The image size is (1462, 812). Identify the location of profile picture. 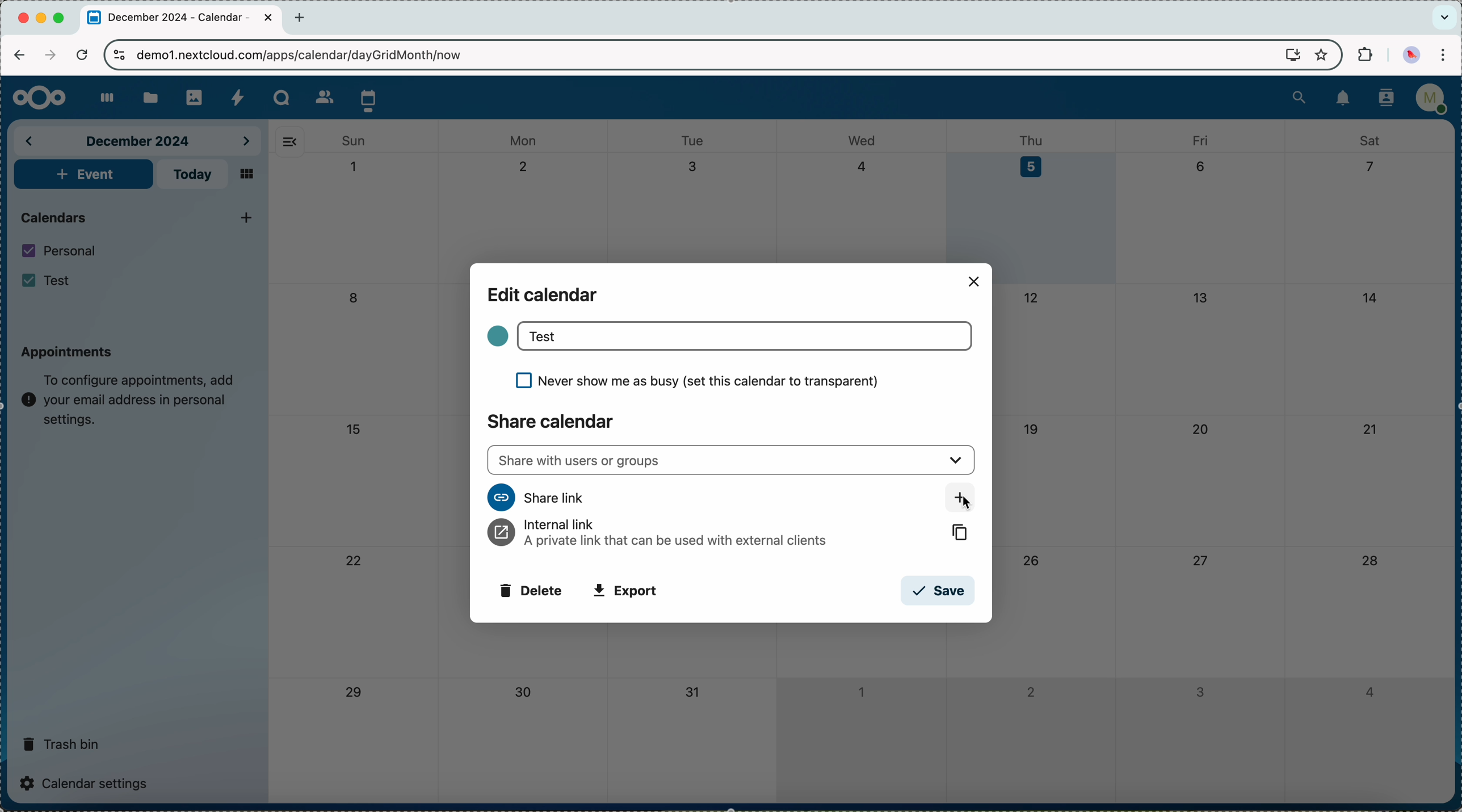
(1411, 54).